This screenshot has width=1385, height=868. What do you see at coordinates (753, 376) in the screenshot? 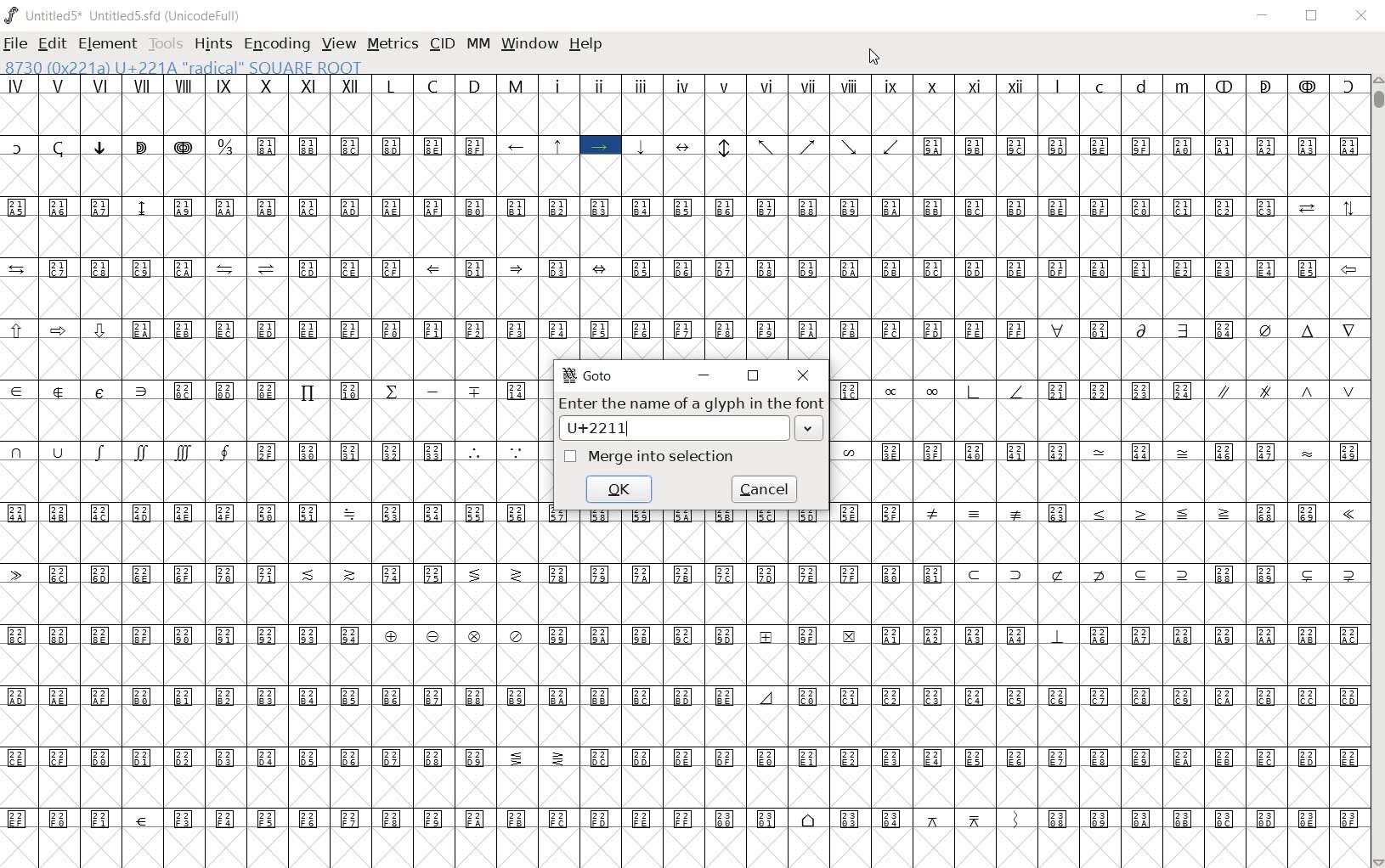
I see `RESTORE` at bounding box center [753, 376].